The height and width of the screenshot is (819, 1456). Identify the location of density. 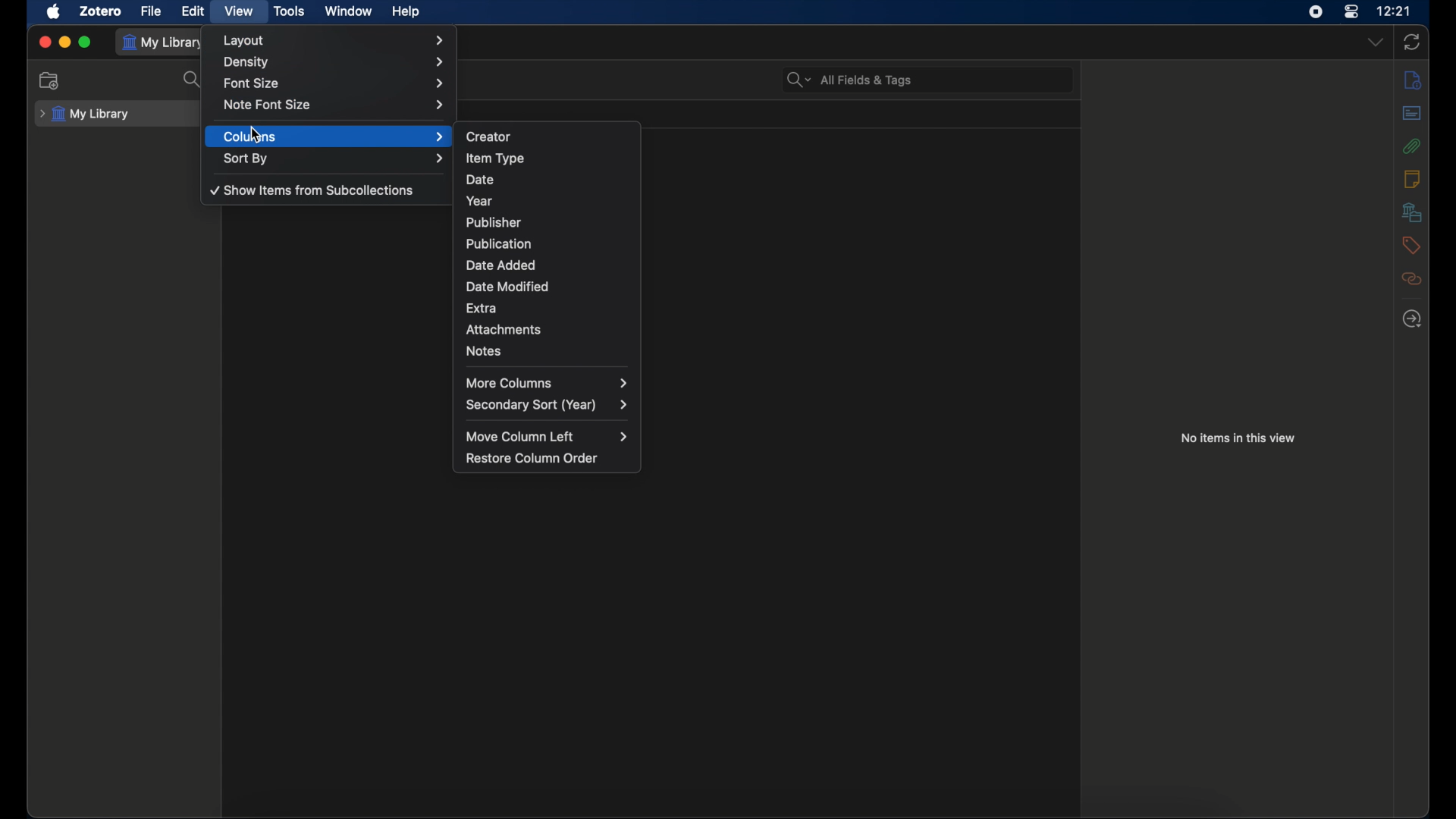
(335, 62).